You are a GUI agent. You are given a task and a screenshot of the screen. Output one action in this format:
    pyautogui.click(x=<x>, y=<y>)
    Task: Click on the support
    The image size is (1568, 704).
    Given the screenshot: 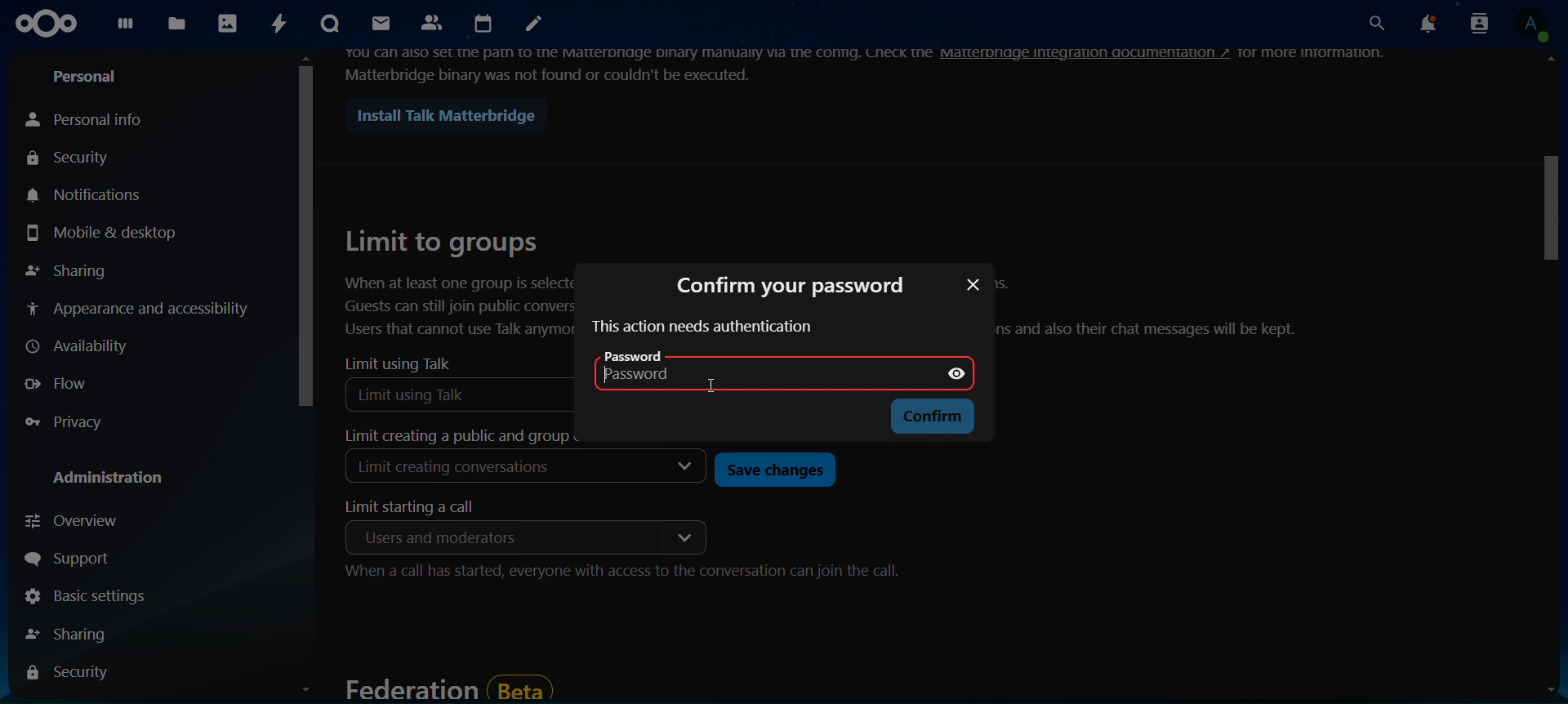 What is the action you would take?
    pyautogui.click(x=80, y=561)
    